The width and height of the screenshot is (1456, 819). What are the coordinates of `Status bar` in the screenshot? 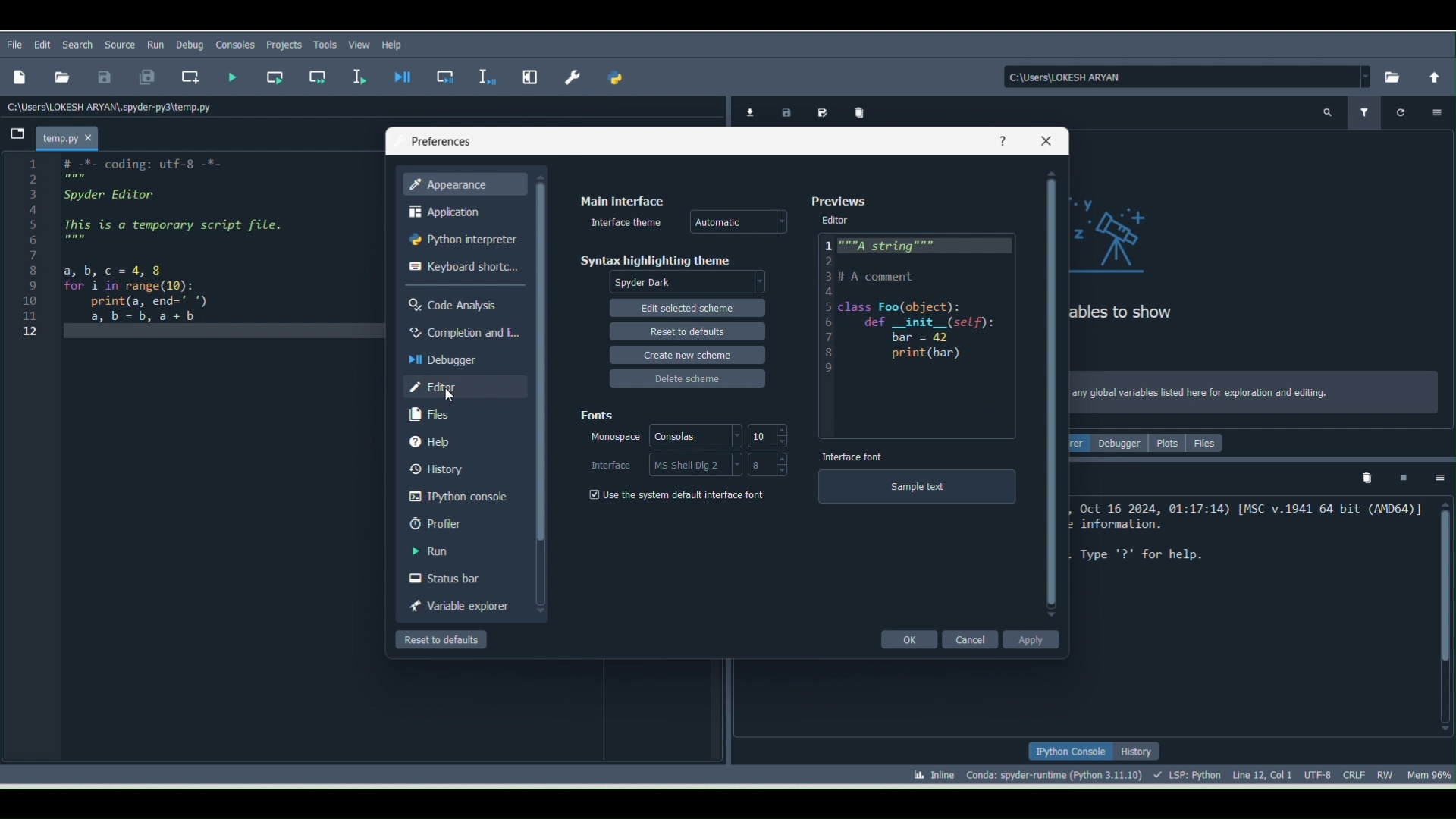 It's located at (460, 576).